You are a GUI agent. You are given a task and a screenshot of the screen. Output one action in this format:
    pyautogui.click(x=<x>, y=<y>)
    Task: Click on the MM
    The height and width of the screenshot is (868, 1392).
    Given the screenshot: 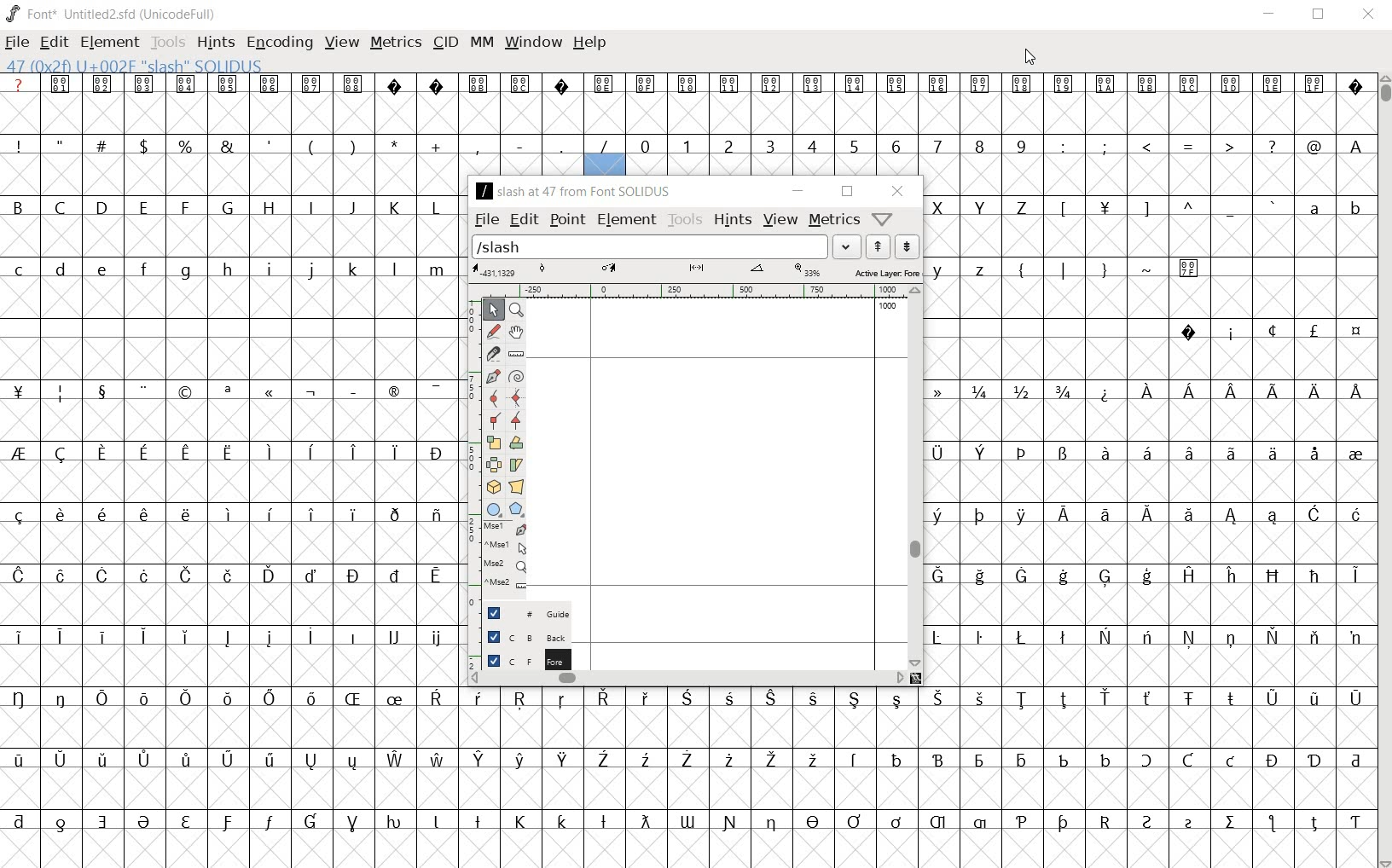 What is the action you would take?
    pyautogui.click(x=480, y=42)
    